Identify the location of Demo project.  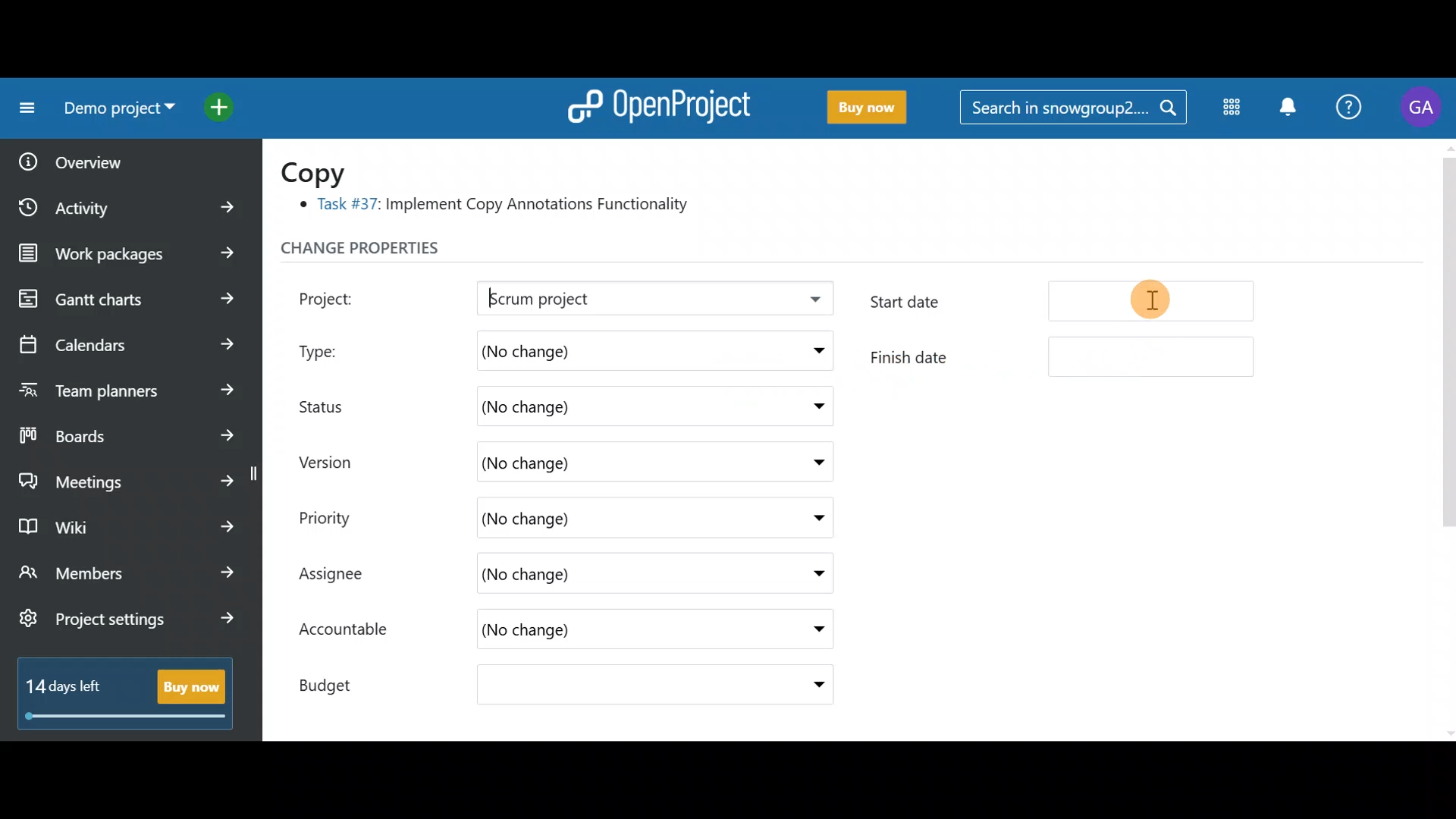
(114, 111).